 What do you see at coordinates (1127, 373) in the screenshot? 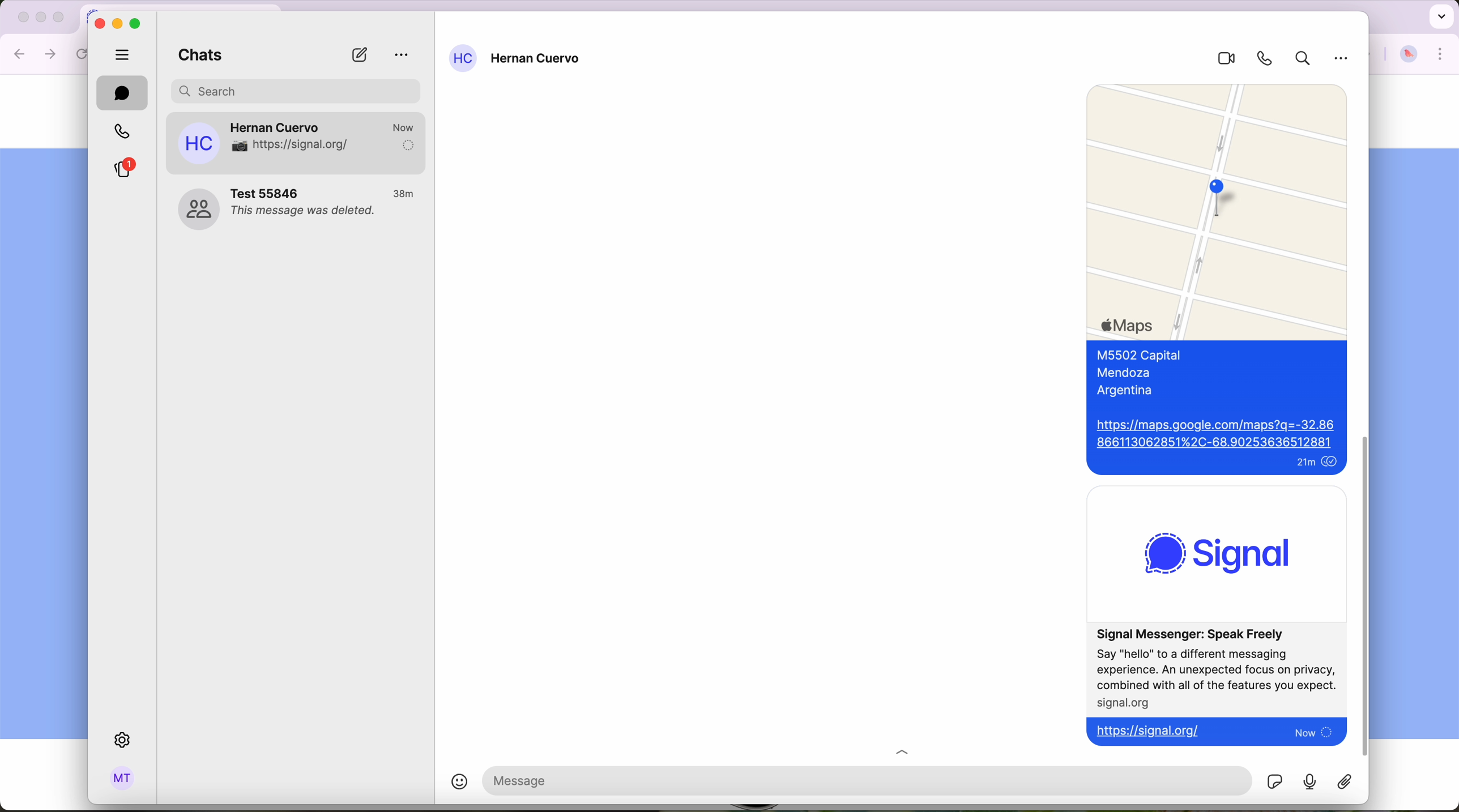
I see `| Mendoza` at bounding box center [1127, 373].